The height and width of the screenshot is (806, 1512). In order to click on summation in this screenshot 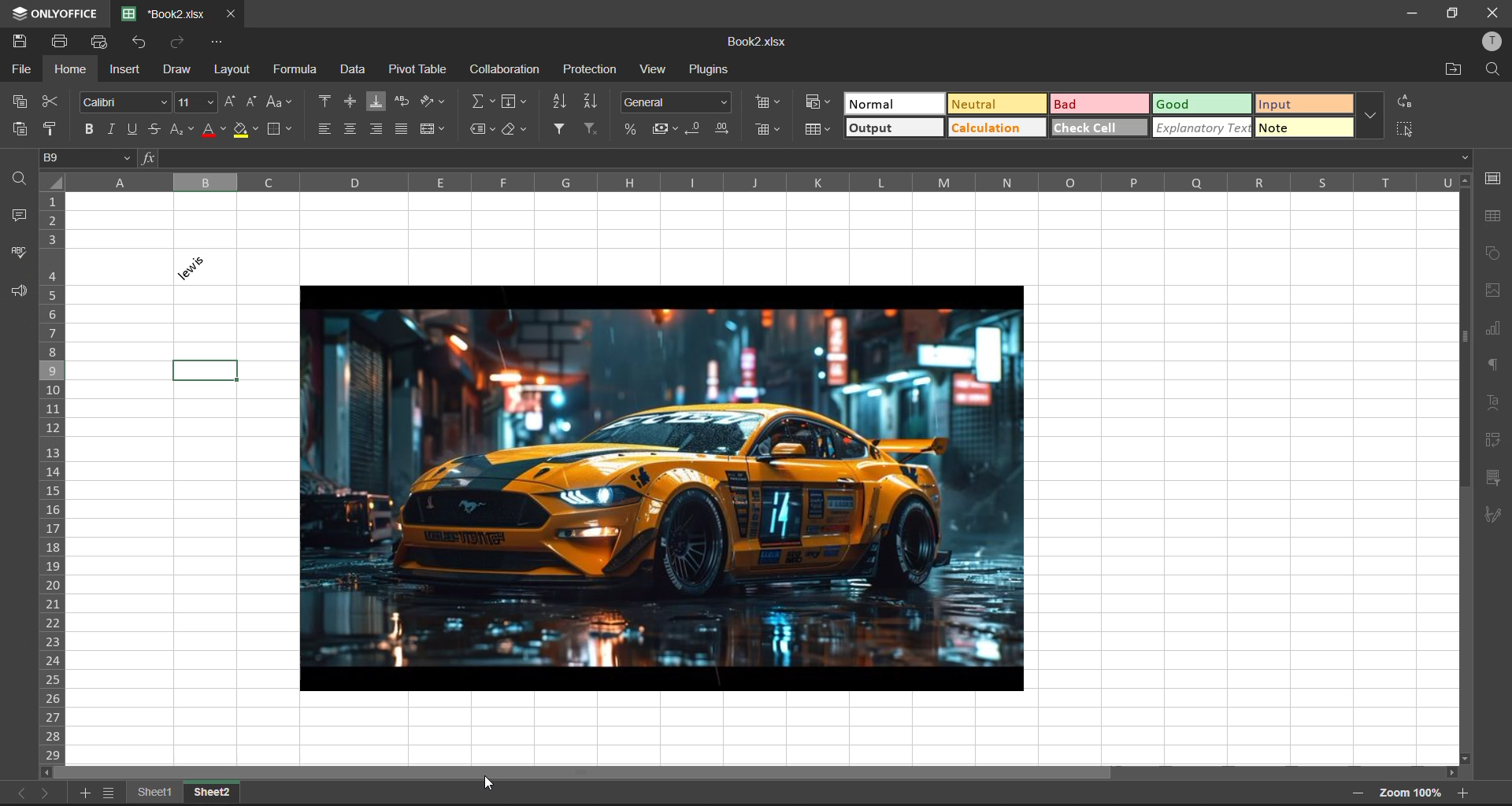, I will do `click(482, 102)`.